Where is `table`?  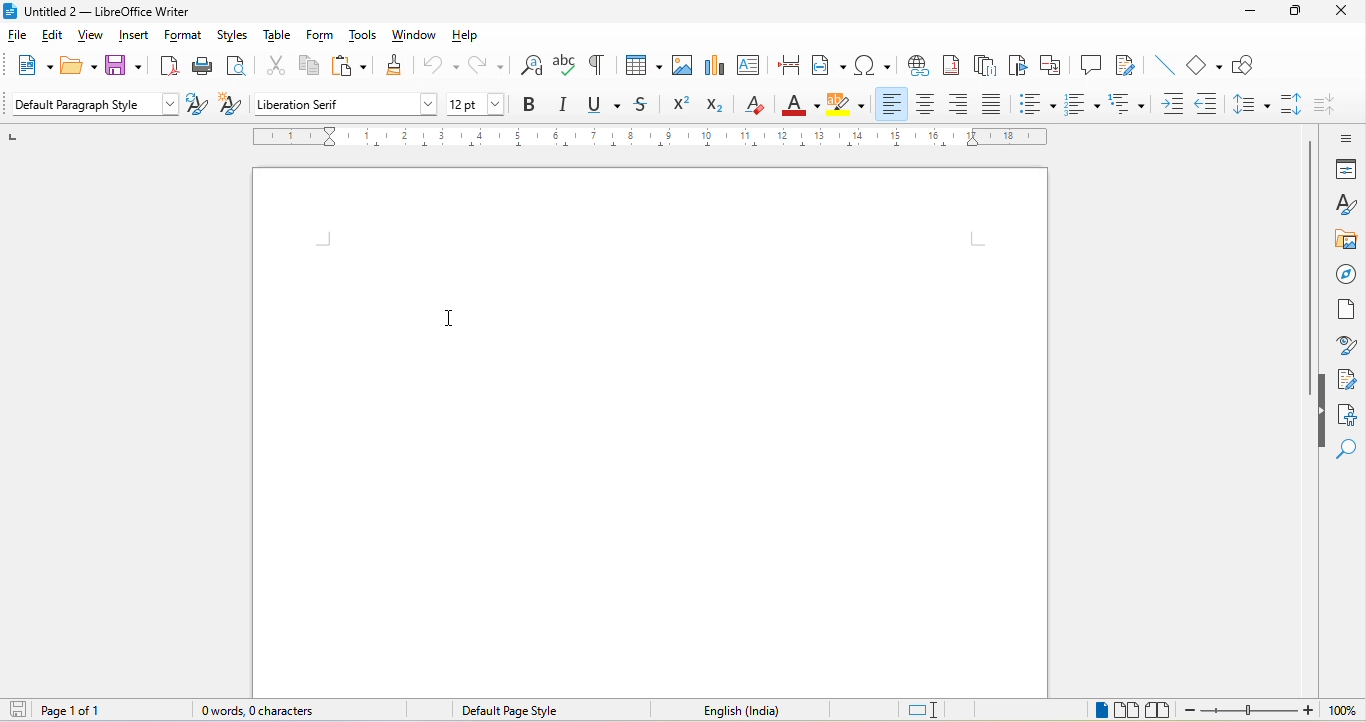 table is located at coordinates (280, 37).